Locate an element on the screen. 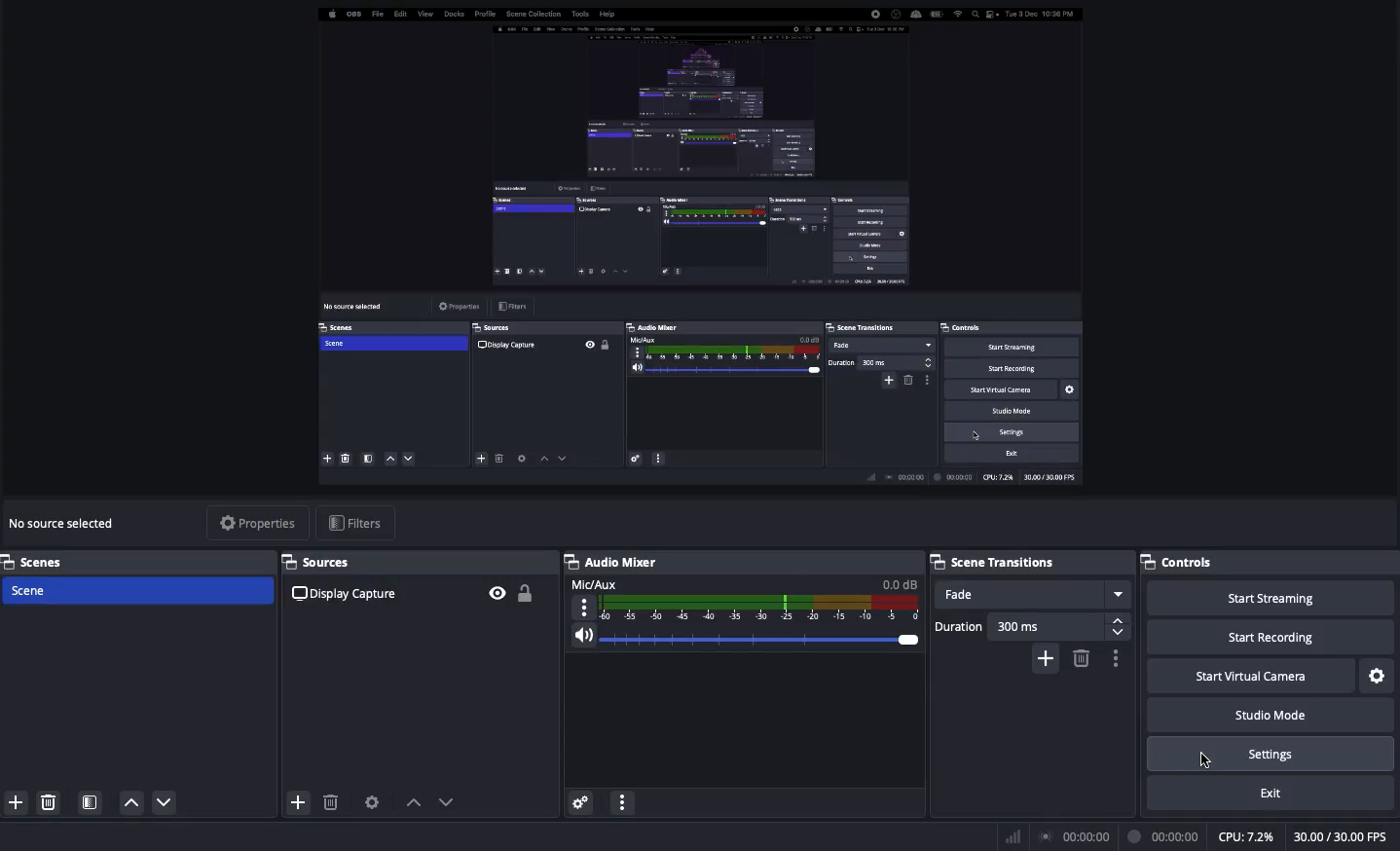 Image resolution: width=1400 pixels, height=851 pixels. FPS is located at coordinates (1344, 837).